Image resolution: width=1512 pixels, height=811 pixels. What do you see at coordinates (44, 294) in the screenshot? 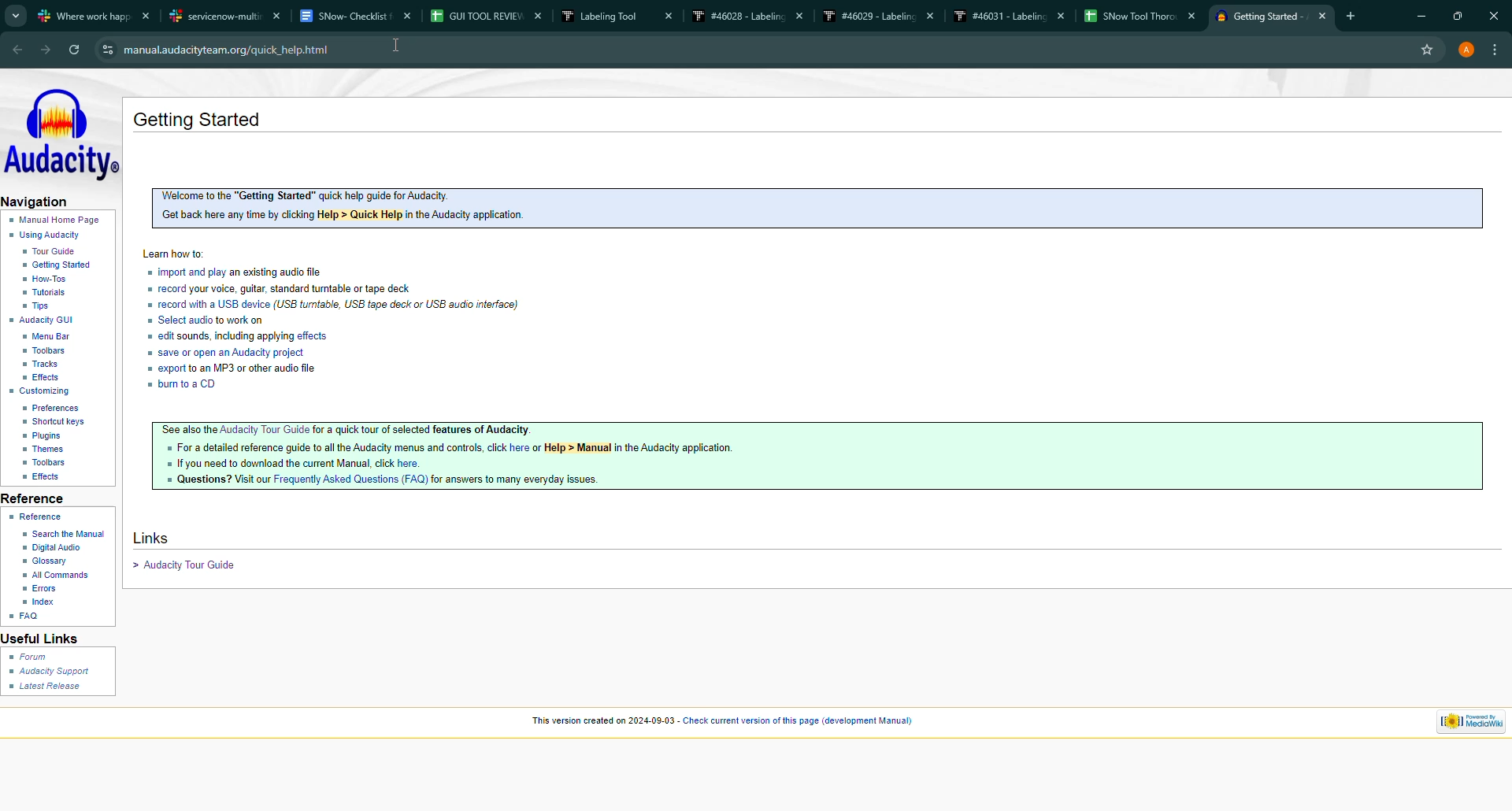
I see `tutorial` at bounding box center [44, 294].